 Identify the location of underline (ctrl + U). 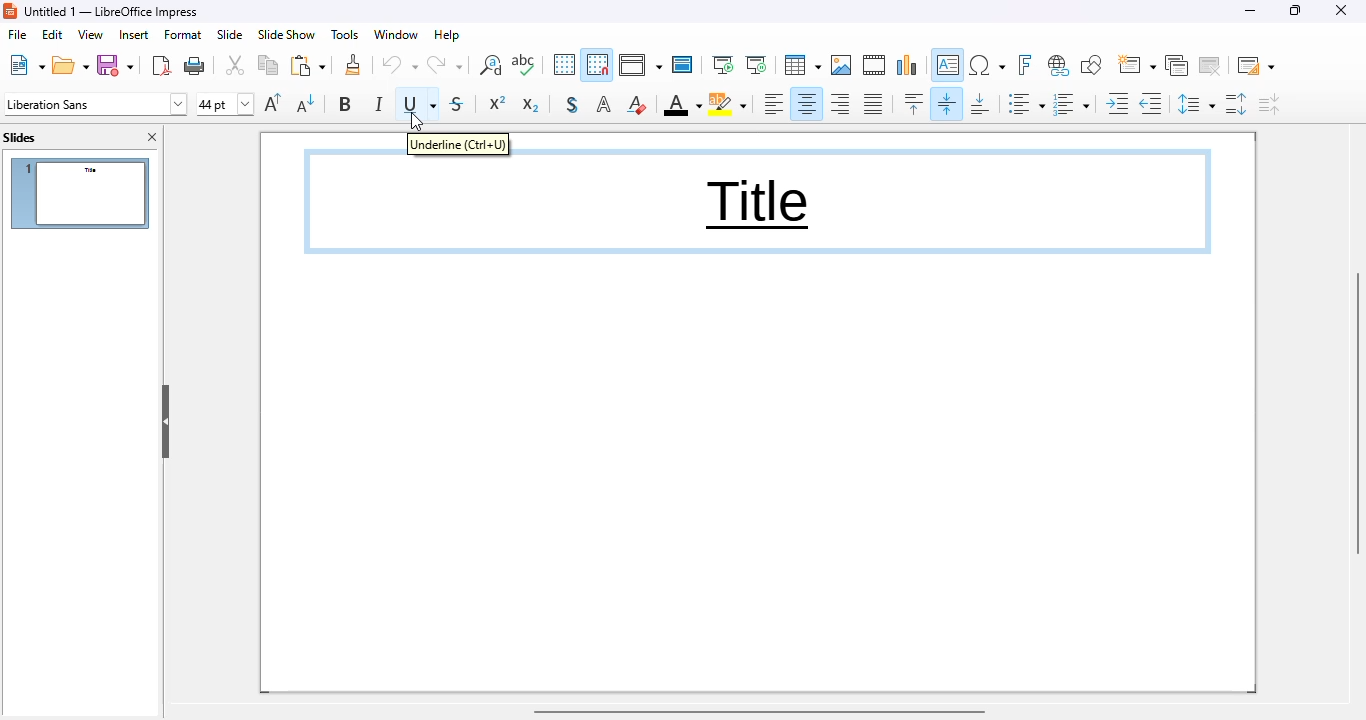
(459, 144).